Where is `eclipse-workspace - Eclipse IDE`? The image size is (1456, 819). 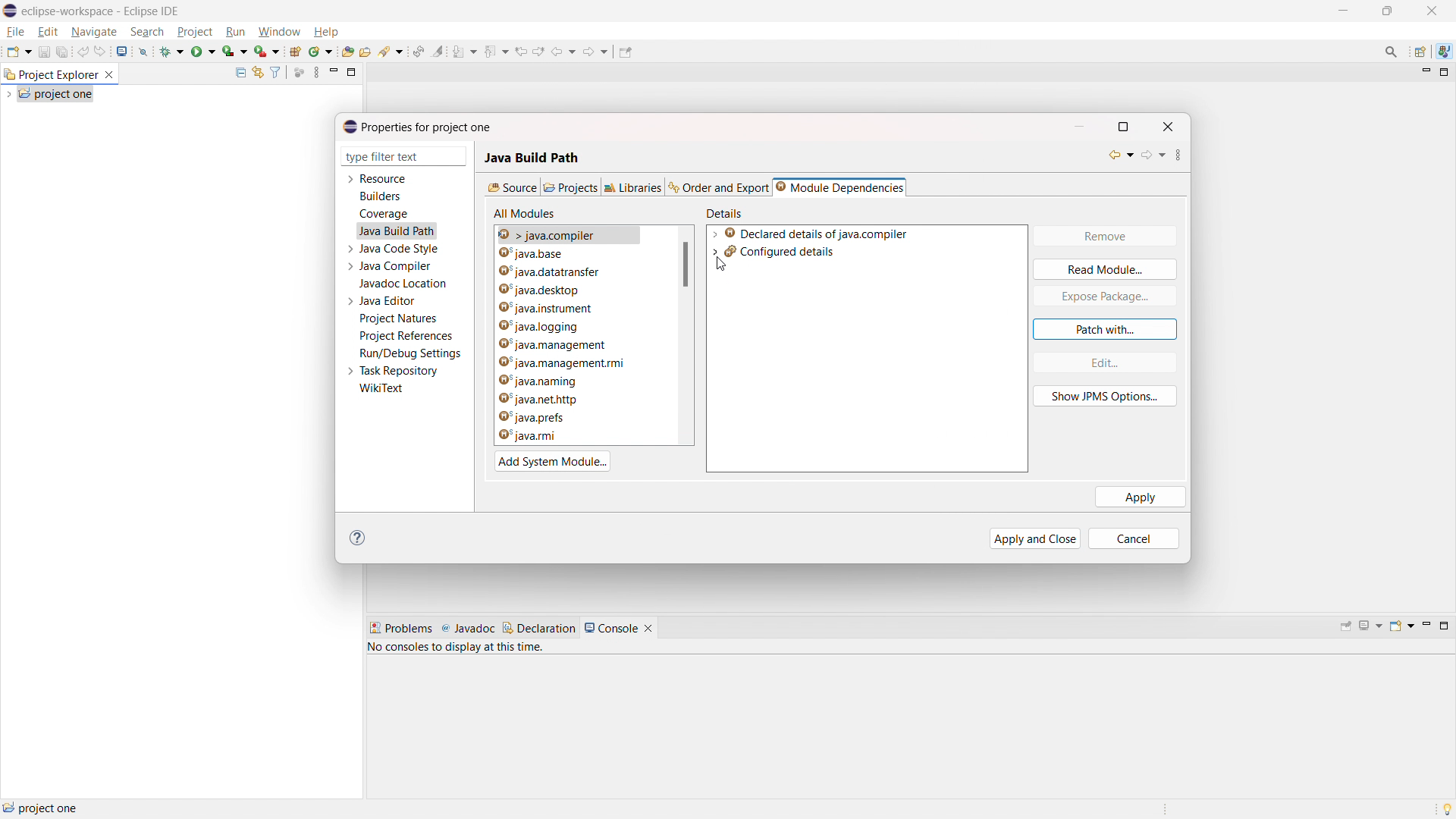 eclipse-workspace - Eclipse IDE is located at coordinates (101, 11).